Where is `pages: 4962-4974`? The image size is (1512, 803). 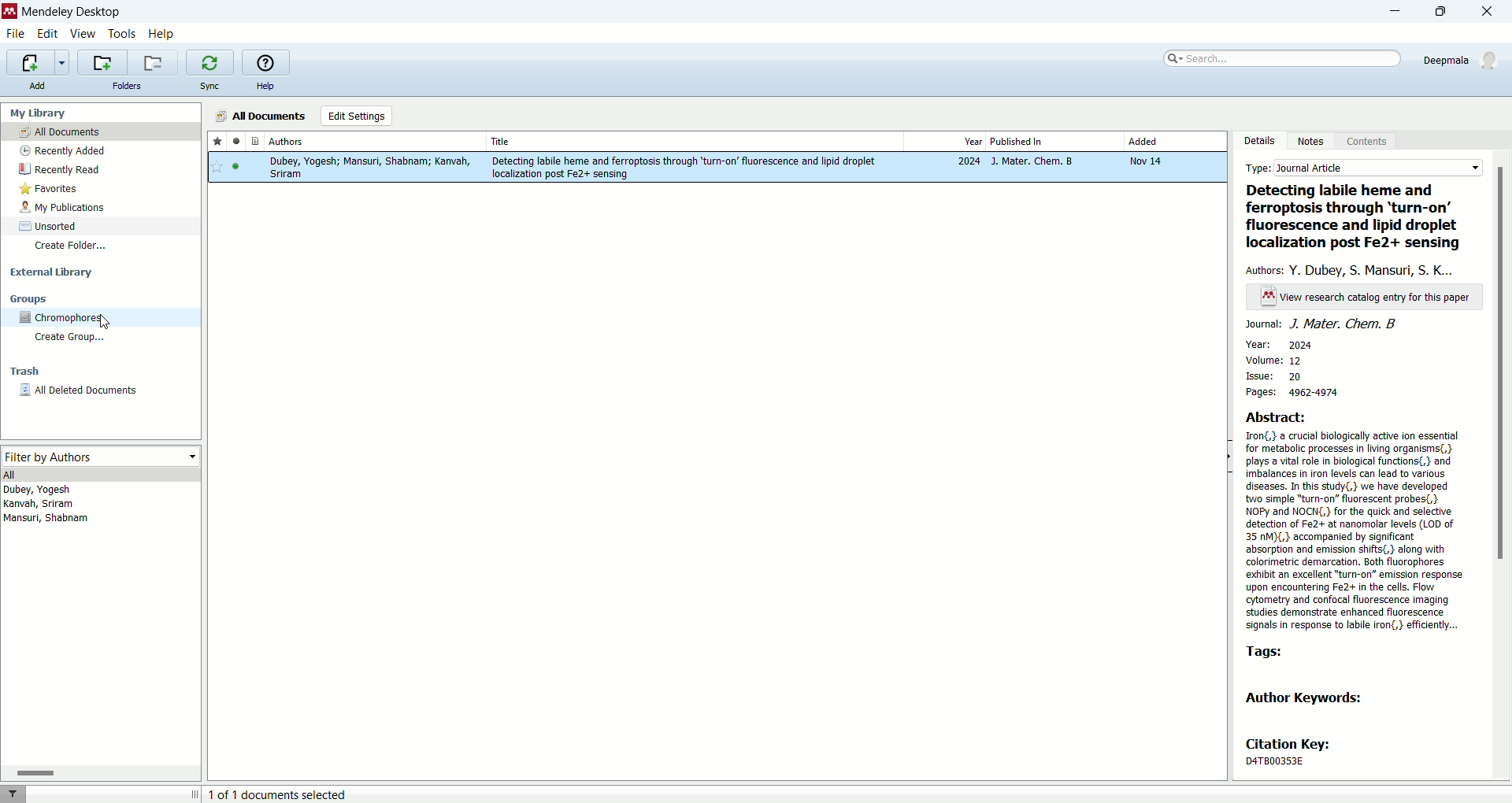
pages: 4962-4974 is located at coordinates (1305, 392).